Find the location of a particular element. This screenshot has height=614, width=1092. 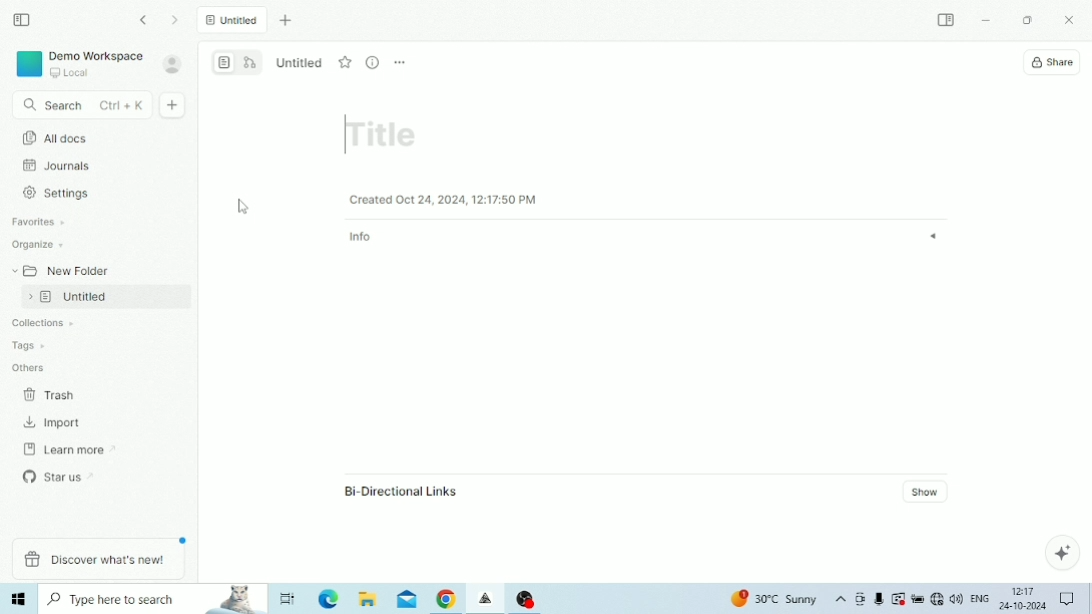

Show is located at coordinates (928, 491).